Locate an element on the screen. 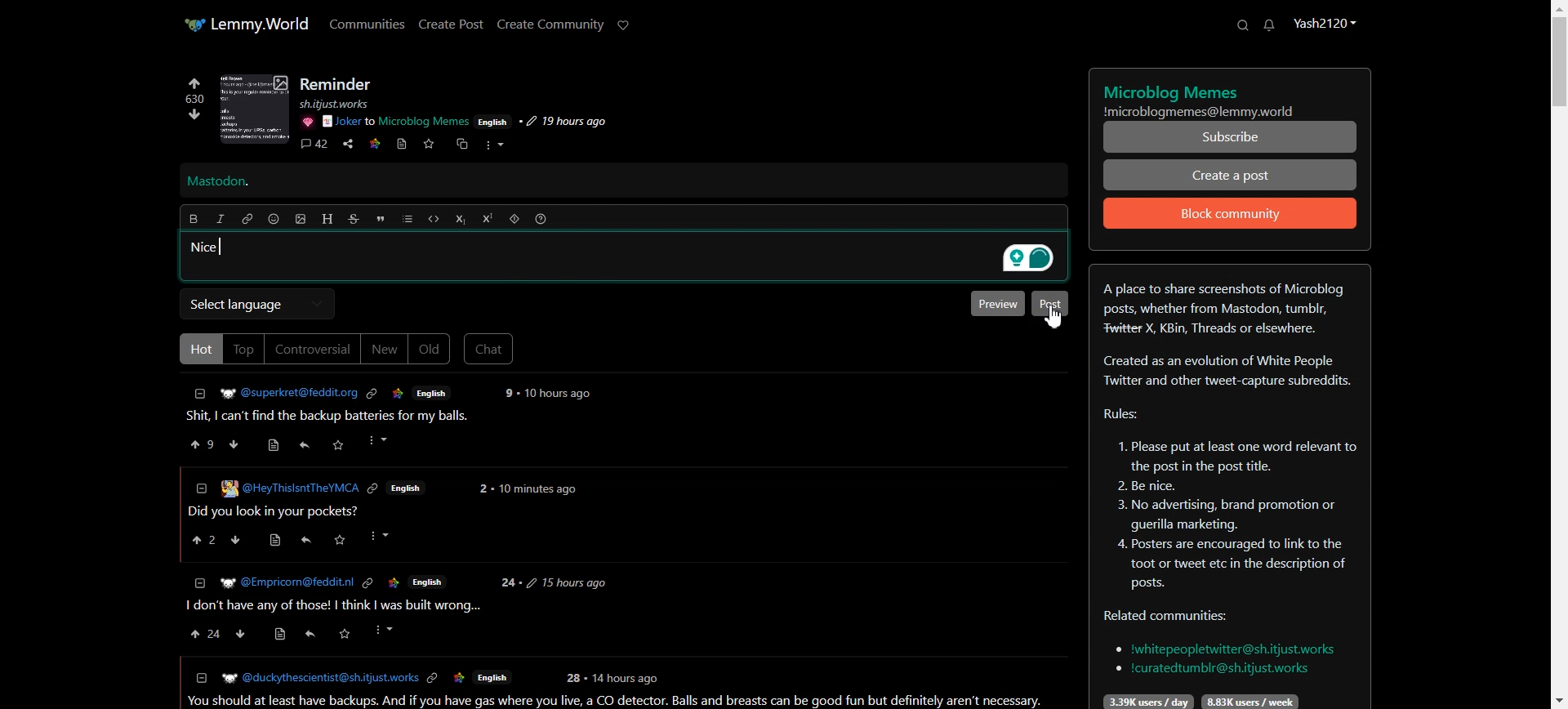  Share is located at coordinates (348, 145).